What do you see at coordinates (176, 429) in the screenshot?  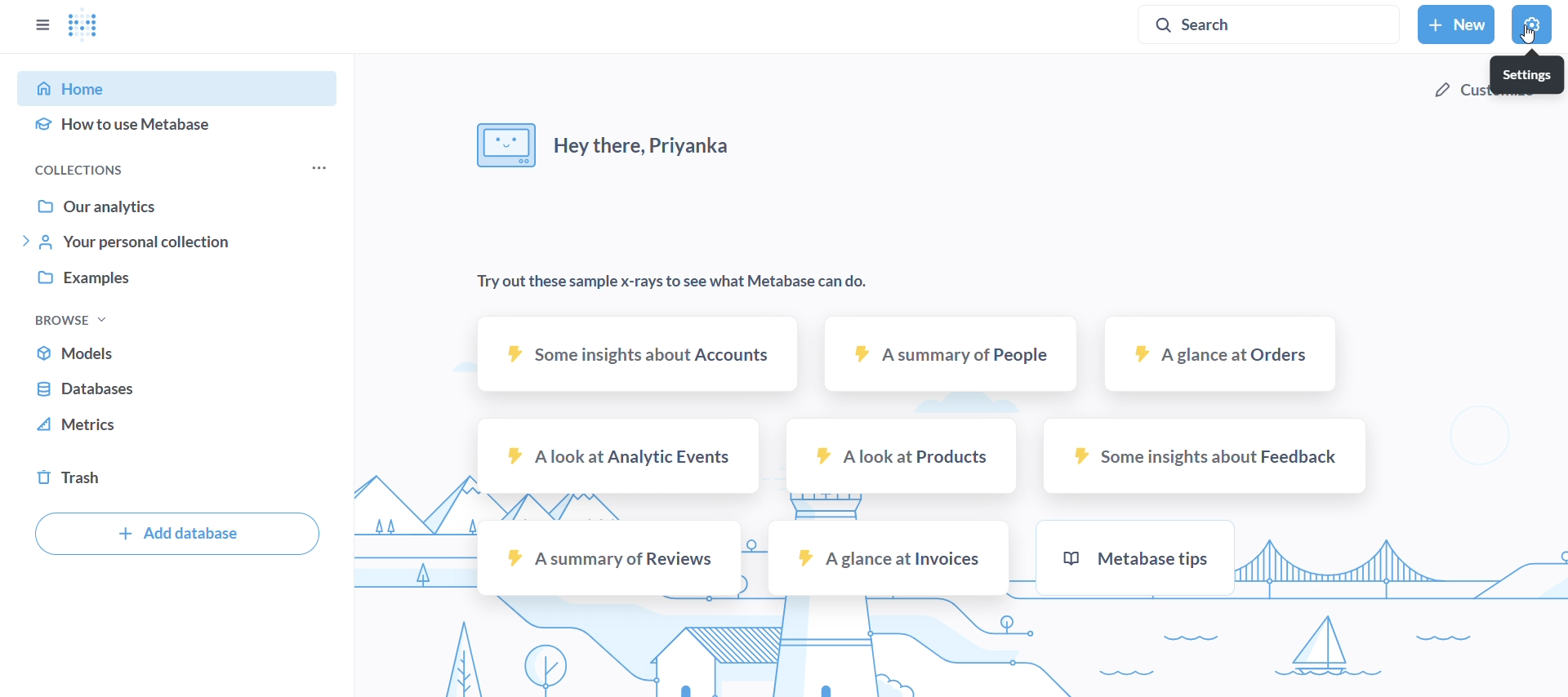 I see `metrics` at bounding box center [176, 429].